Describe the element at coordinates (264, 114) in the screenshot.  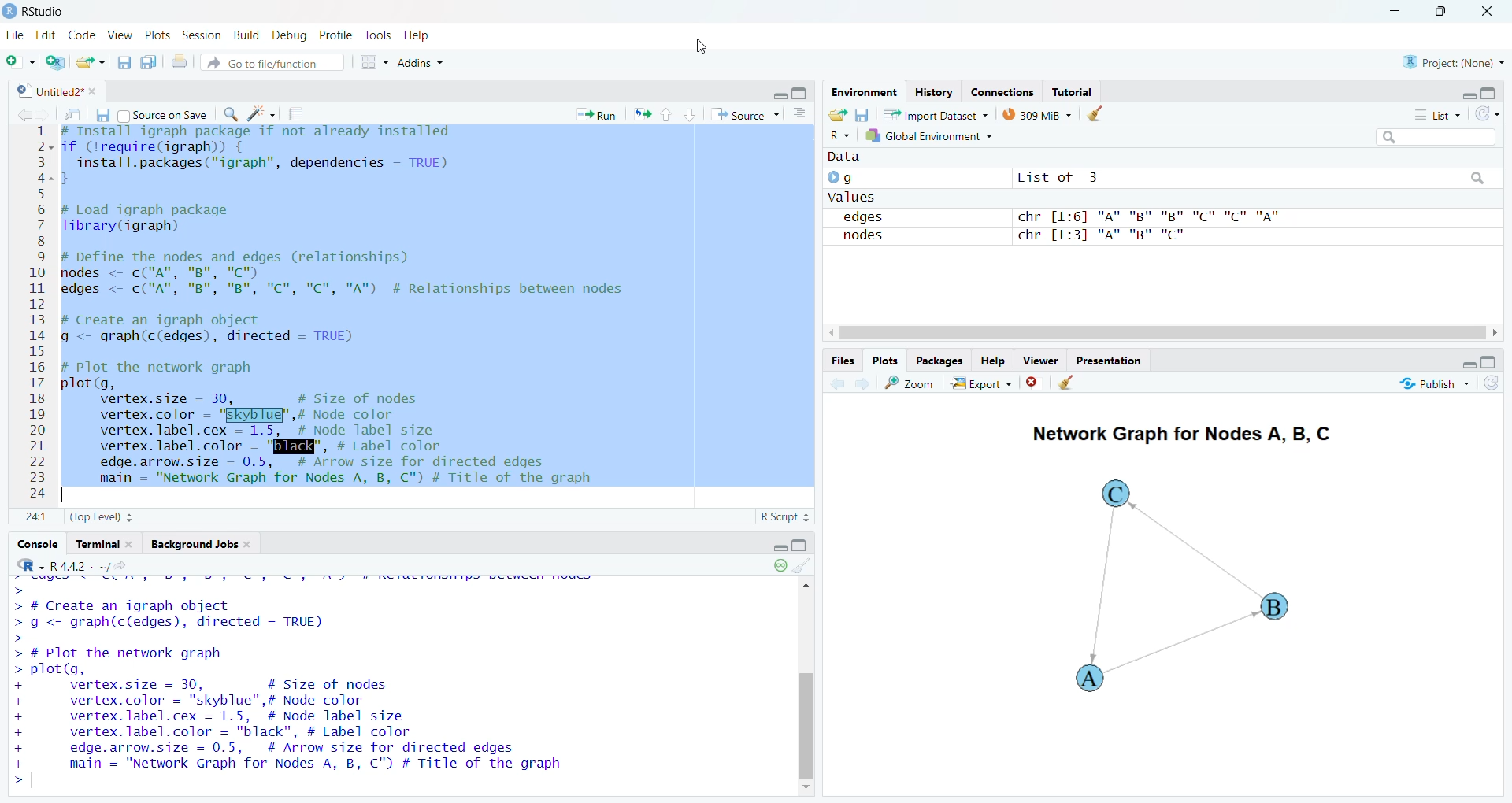
I see `spark` at that location.